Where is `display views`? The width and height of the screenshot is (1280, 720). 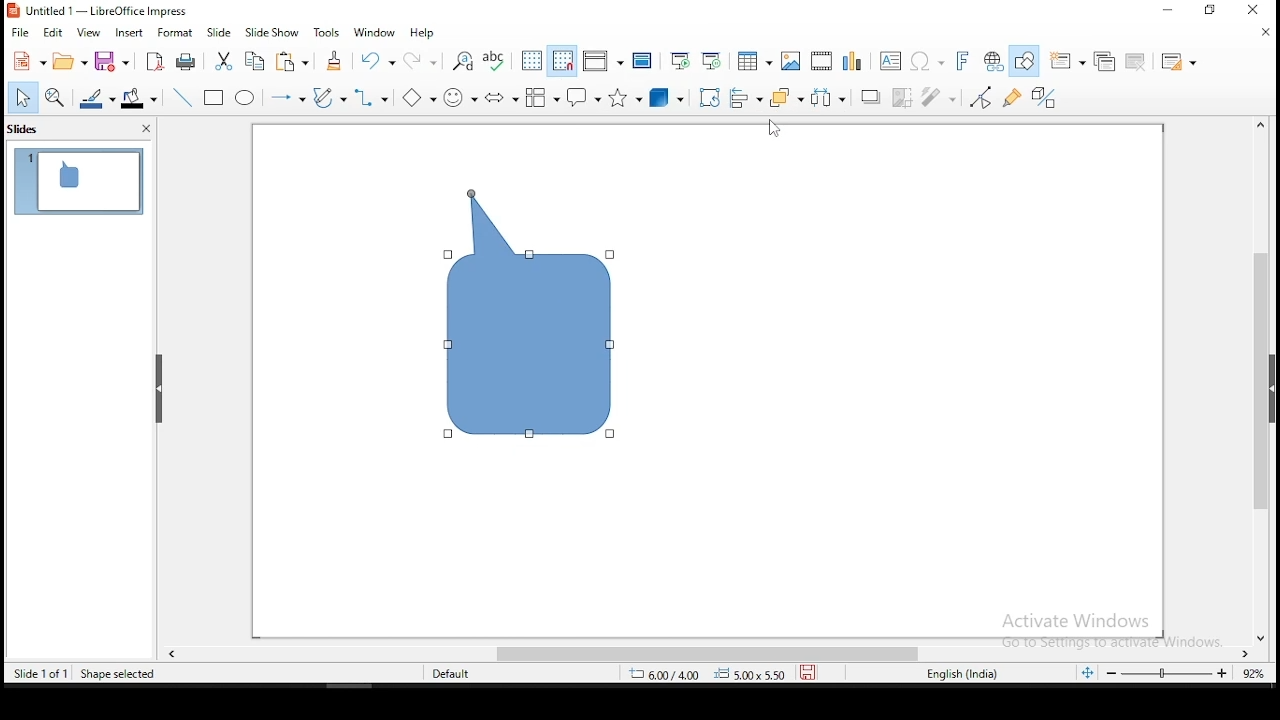
display views is located at coordinates (603, 59).